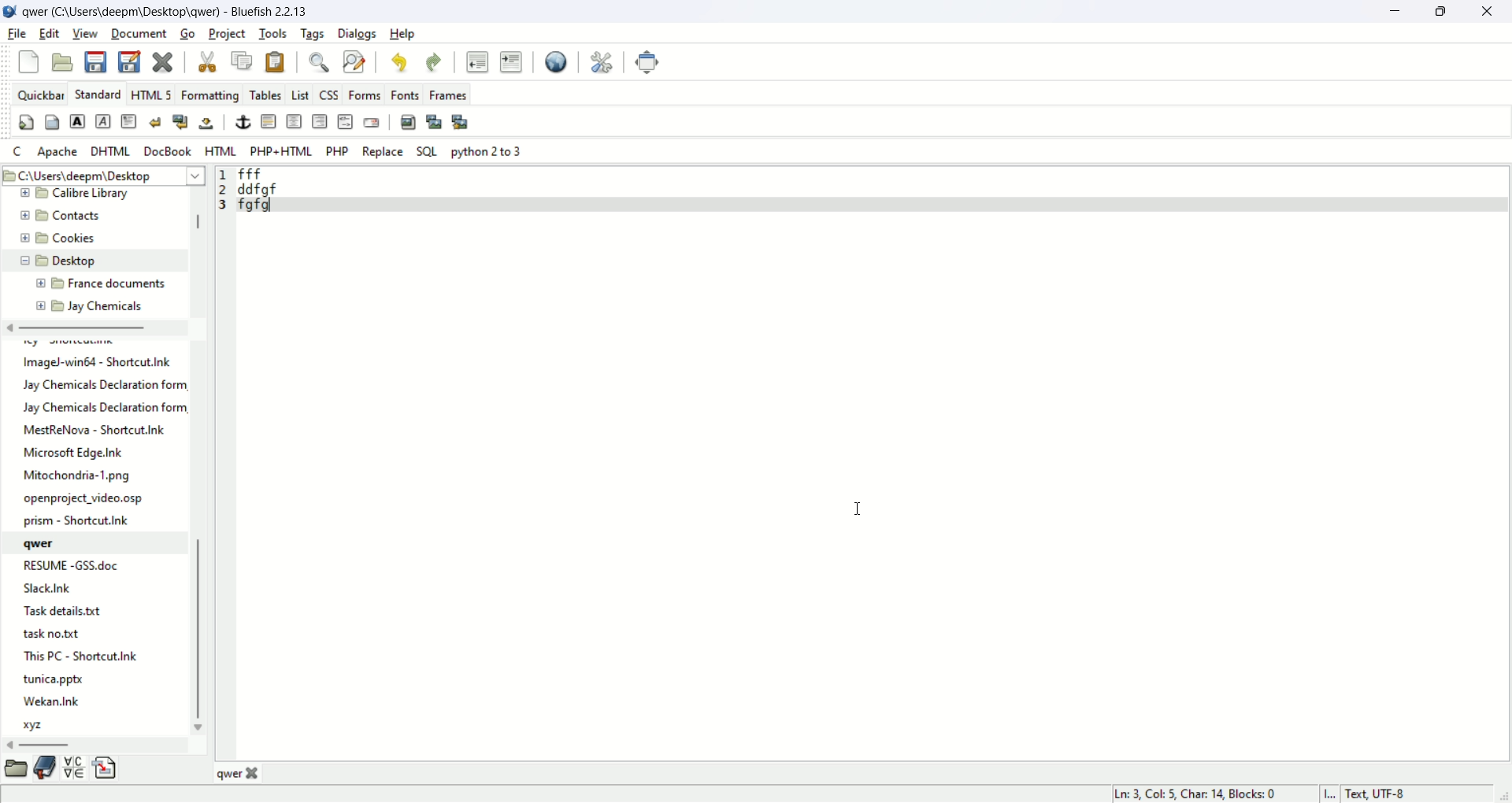 The width and height of the screenshot is (1512, 803). What do you see at coordinates (220, 150) in the screenshot?
I see `HTML` at bounding box center [220, 150].